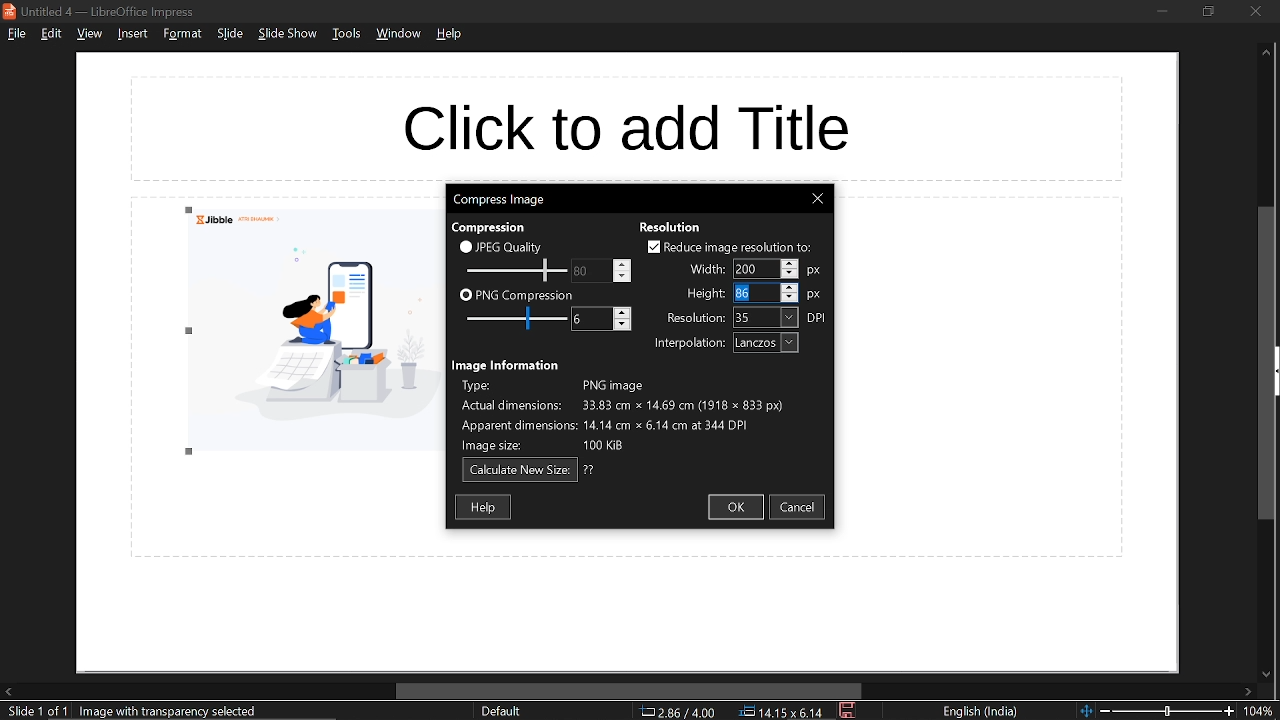 Image resolution: width=1280 pixels, height=720 pixels. Describe the element at coordinates (815, 296) in the screenshot. I see `height unit: px` at that location.